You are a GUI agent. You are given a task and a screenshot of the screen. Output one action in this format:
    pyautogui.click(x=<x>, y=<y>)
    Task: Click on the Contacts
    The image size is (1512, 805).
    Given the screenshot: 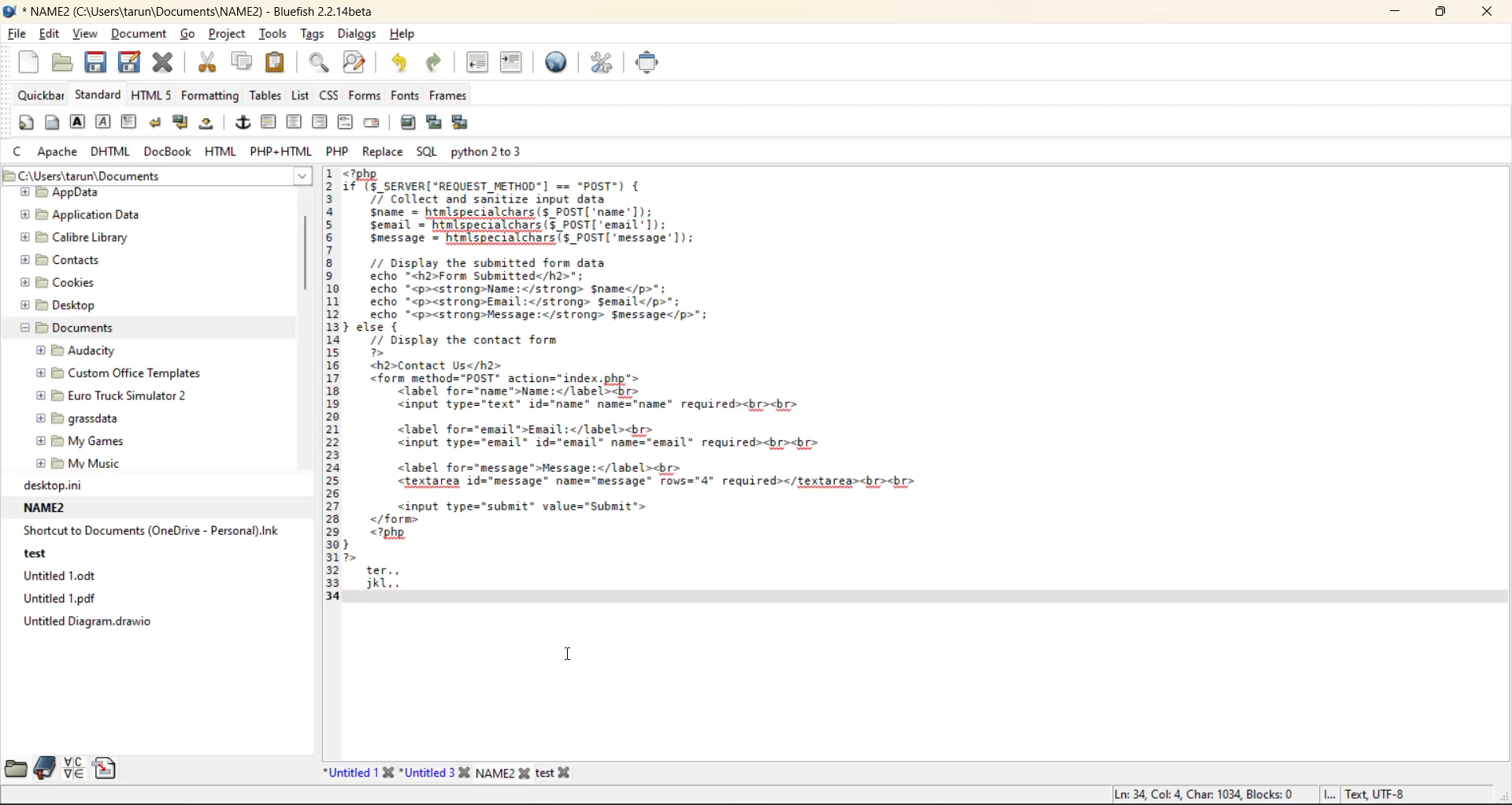 What is the action you would take?
    pyautogui.click(x=58, y=261)
    